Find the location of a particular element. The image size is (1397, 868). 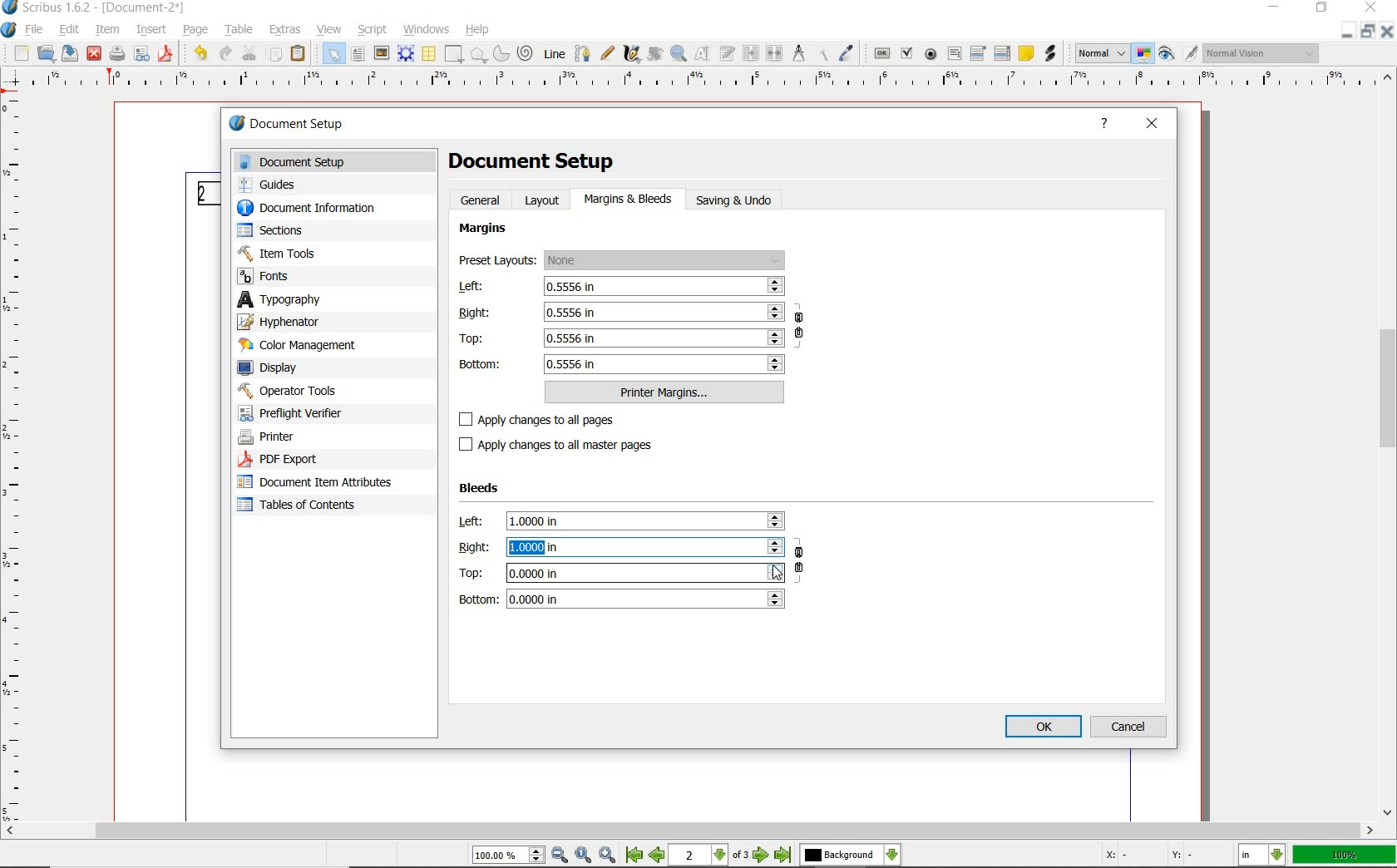

ensure all the margins have the same value is located at coordinates (800, 328).